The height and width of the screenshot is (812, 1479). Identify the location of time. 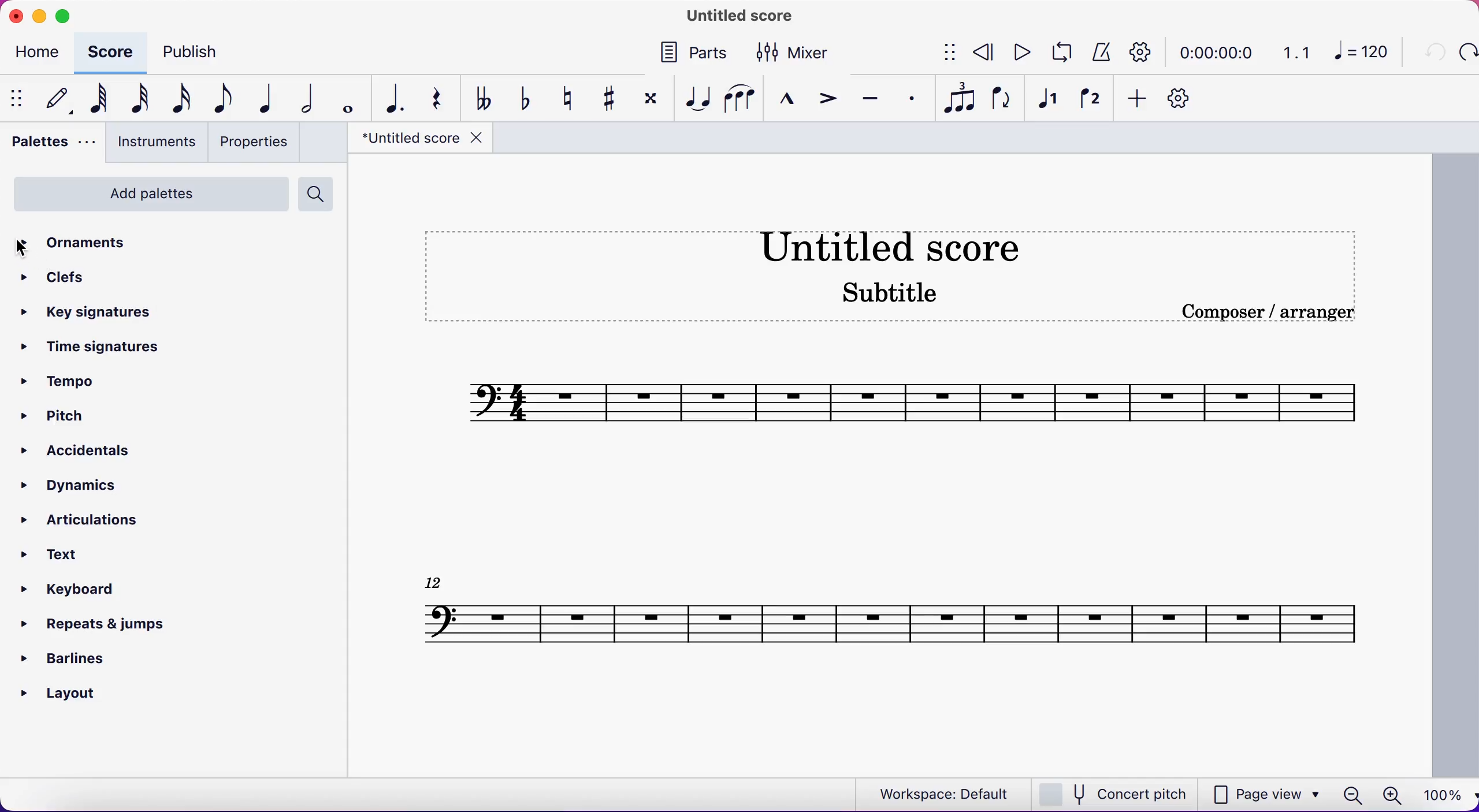
(1220, 52).